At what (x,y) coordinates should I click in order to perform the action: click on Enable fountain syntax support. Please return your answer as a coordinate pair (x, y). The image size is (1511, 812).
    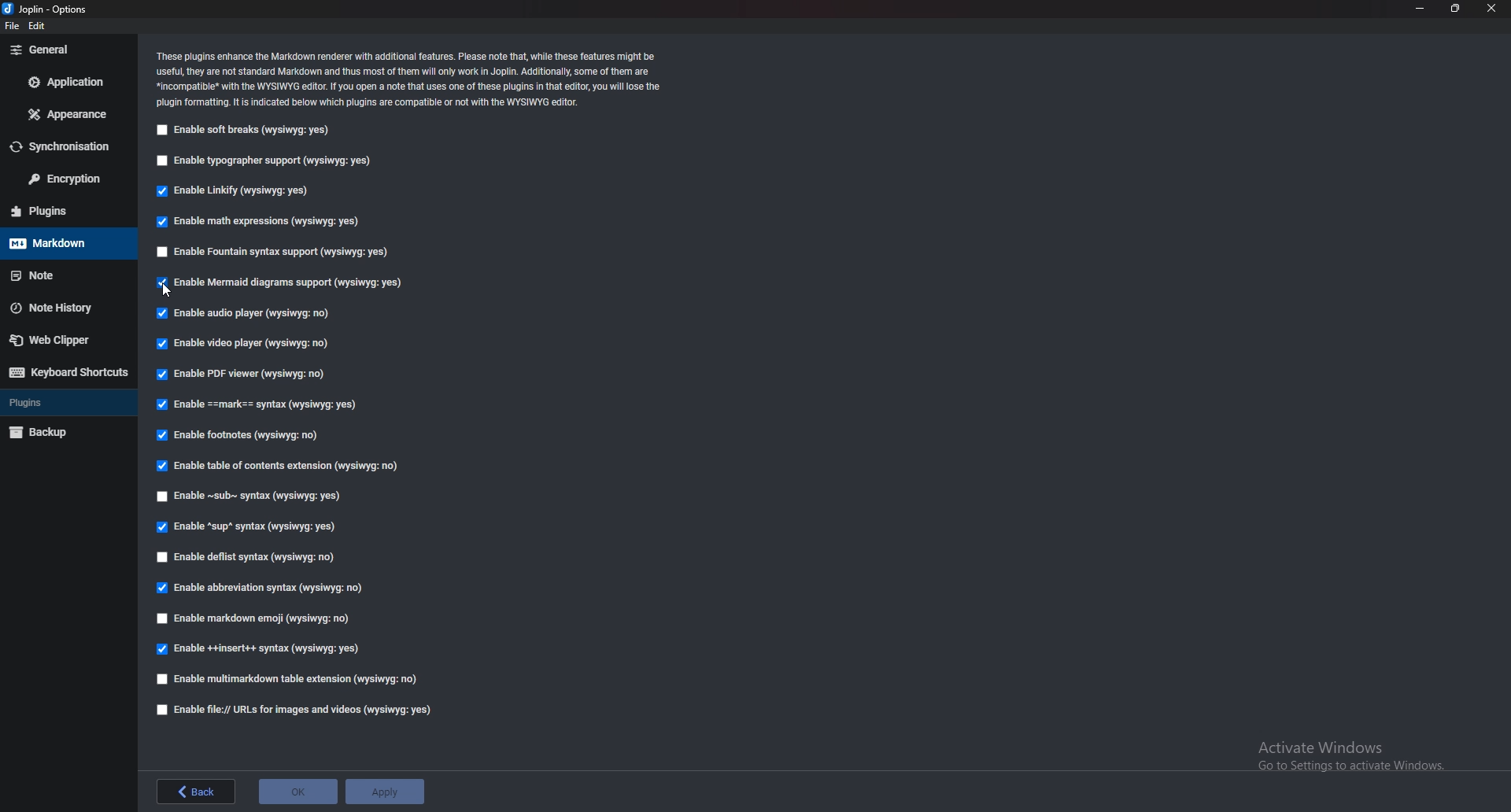
    Looking at the image, I should click on (283, 253).